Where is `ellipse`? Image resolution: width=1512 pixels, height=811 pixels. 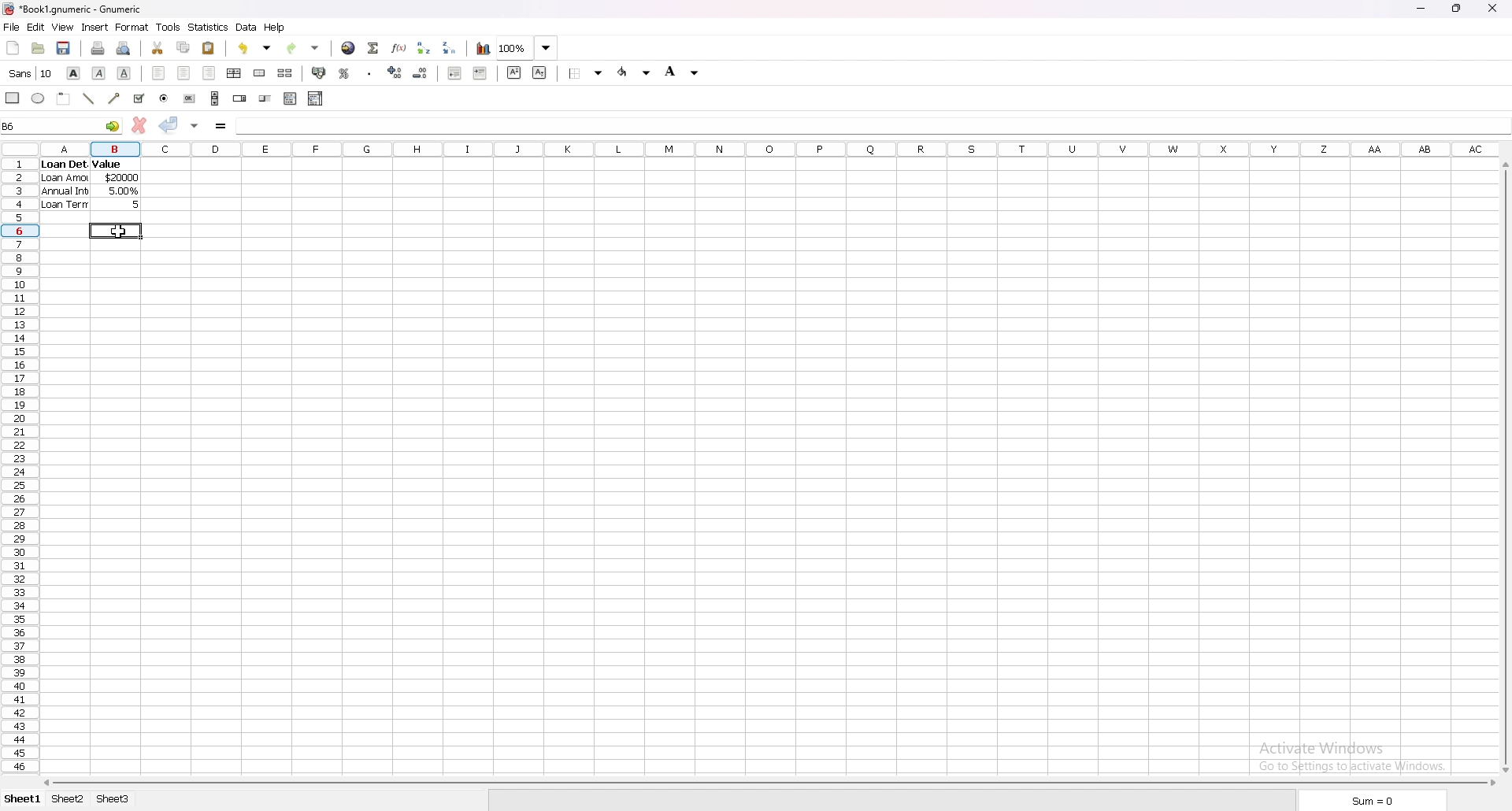
ellipse is located at coordinates (39, 98).